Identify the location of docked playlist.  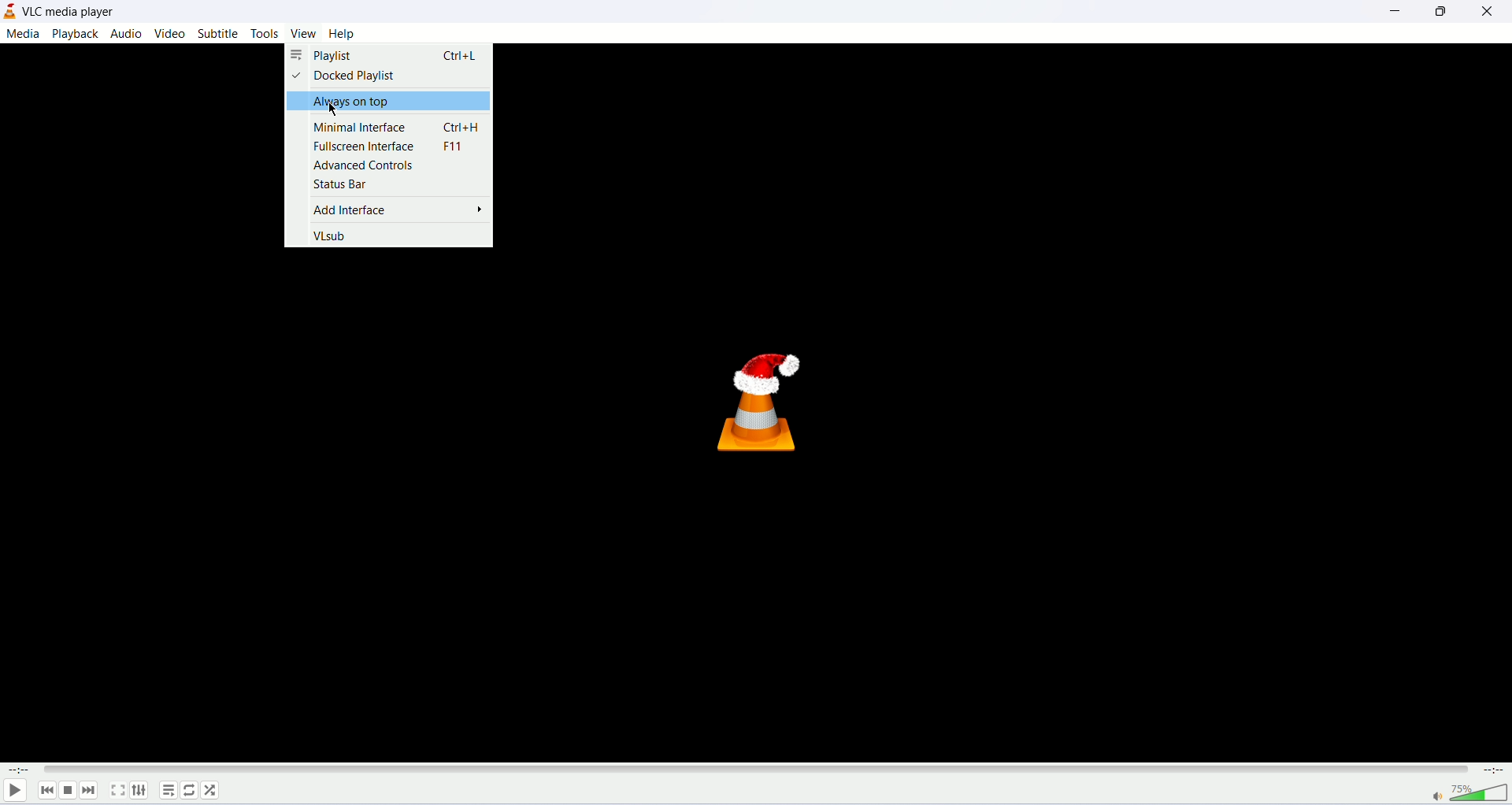
(347, 76).